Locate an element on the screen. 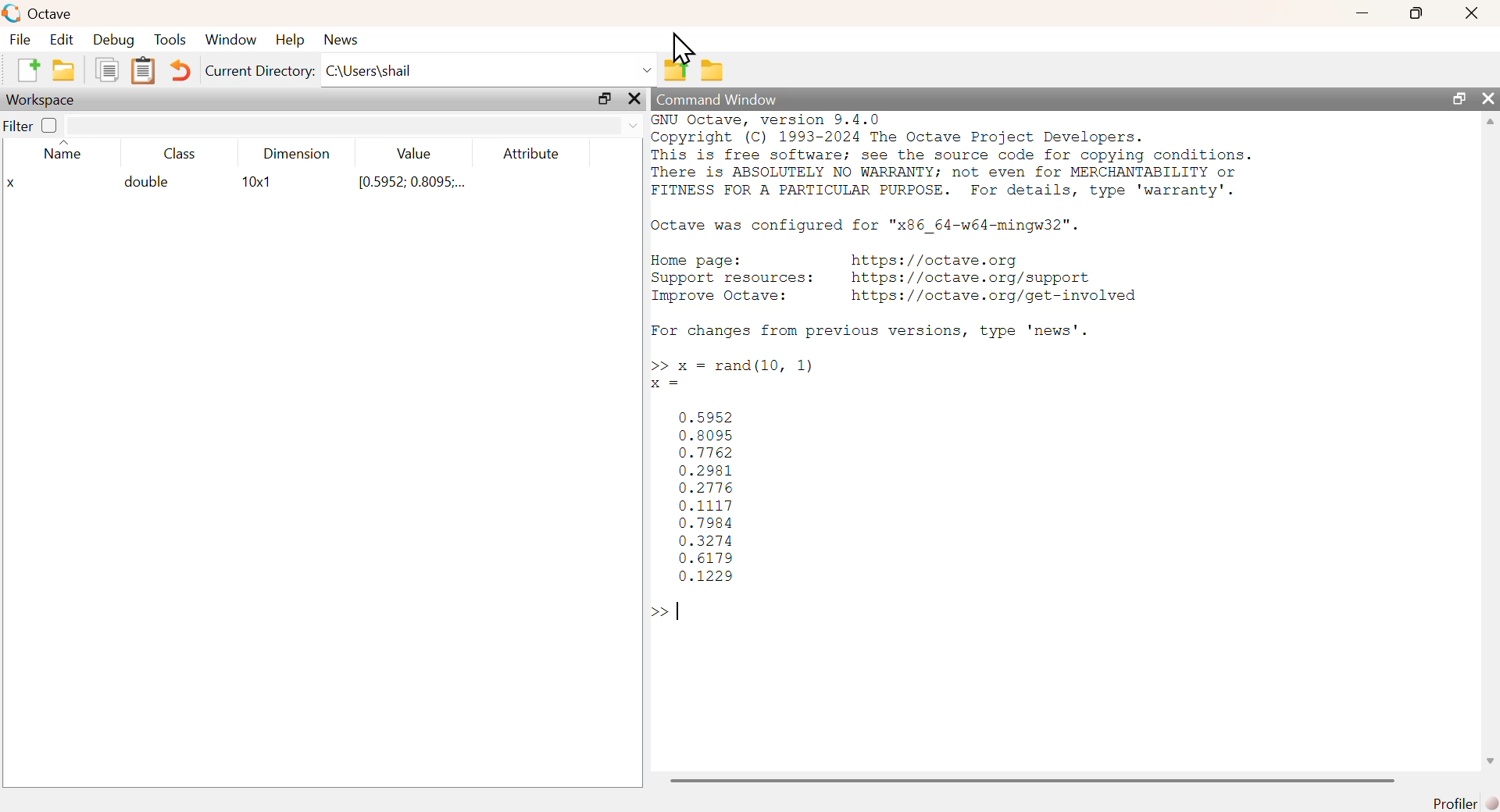 The height and width of the screenshot is (812, 1500). one directory up is located at coordinates (676, 67).